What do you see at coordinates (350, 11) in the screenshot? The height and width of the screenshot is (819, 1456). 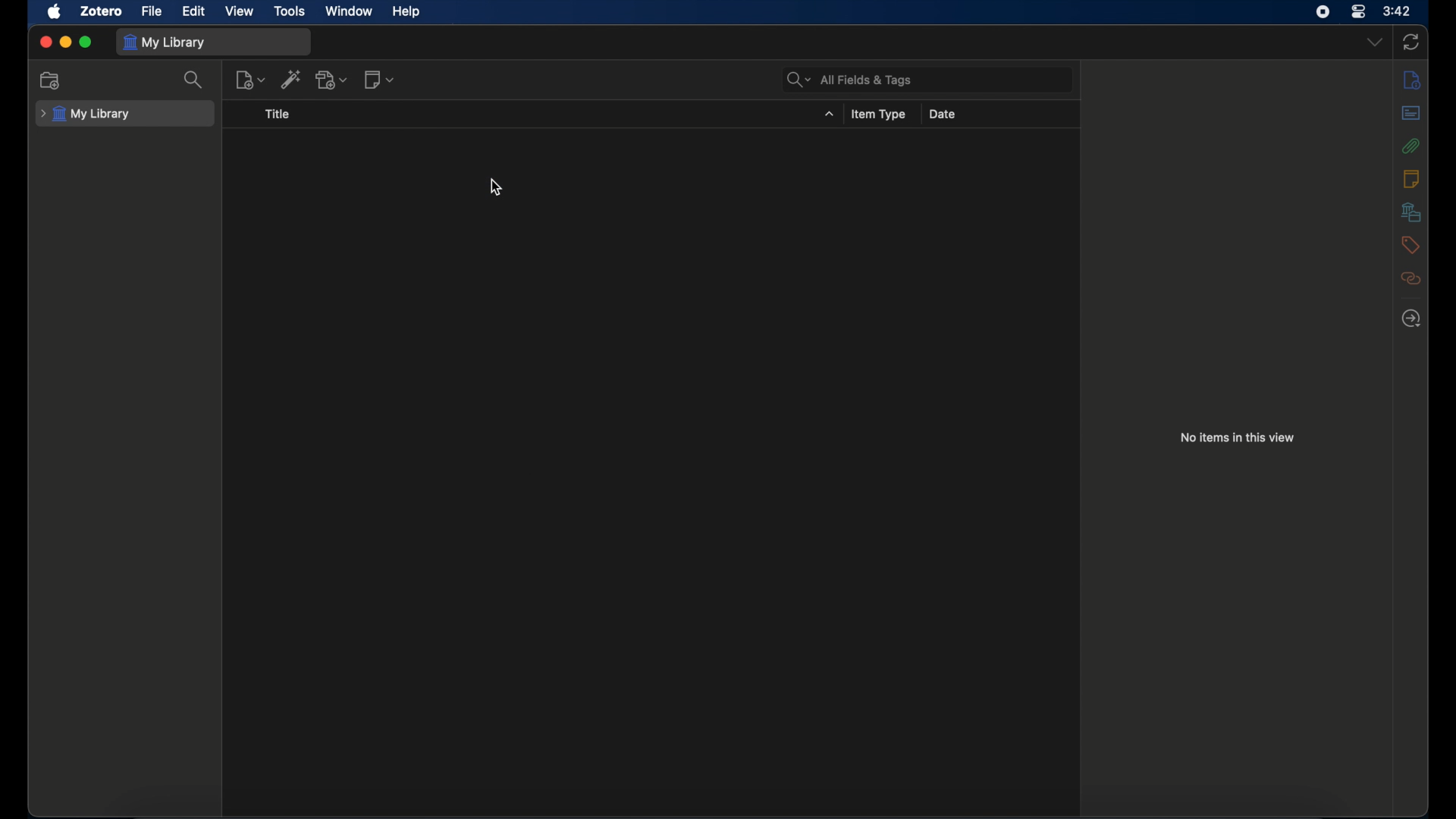 I see `window` at bounding box center [350, 11].